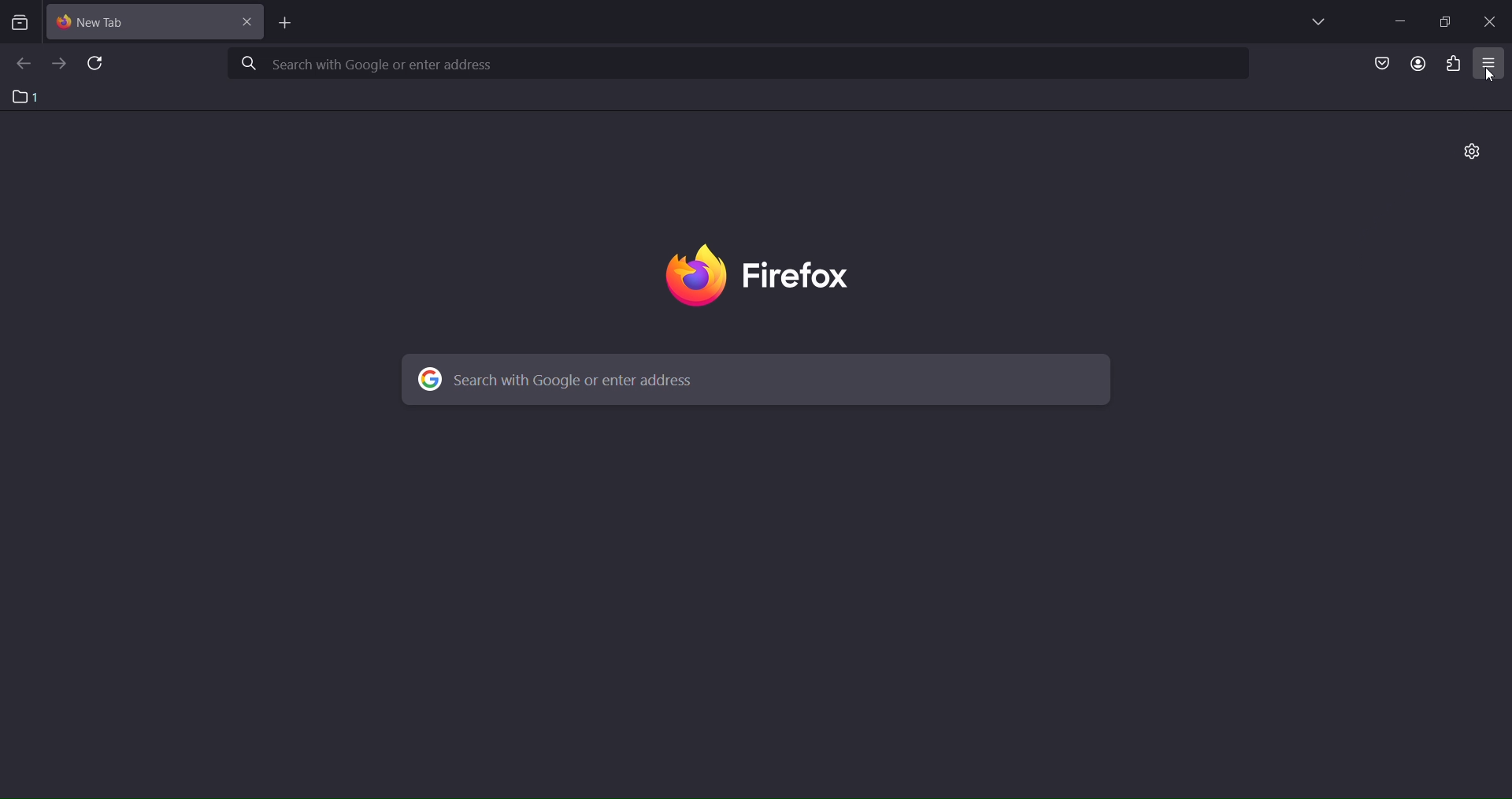  Describe the element at coordinates (1378, 64) in the screenshot. I see `save to pocket` at that location.